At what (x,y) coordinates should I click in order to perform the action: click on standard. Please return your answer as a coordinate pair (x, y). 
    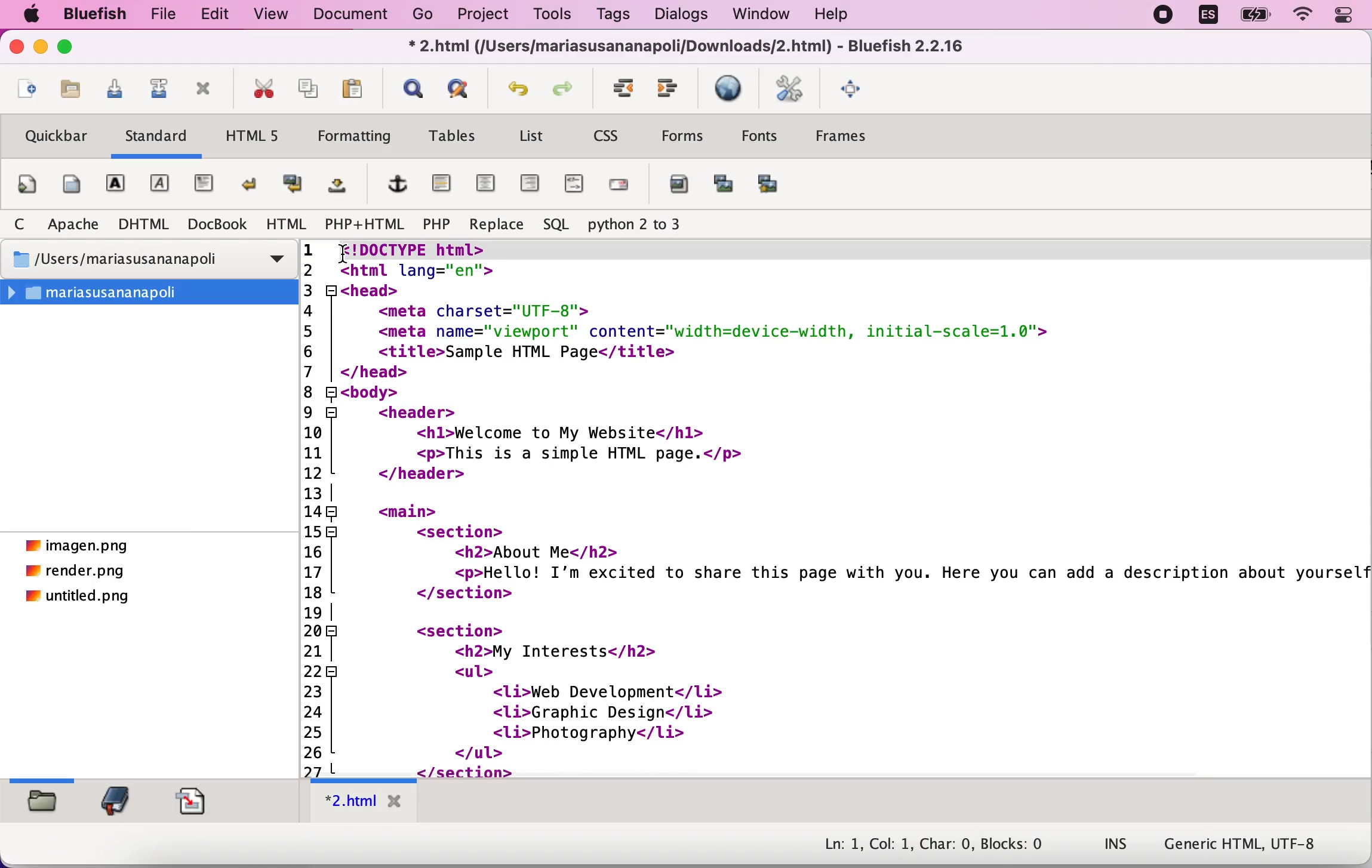
    Looking at the image, I should click on (161, 136).